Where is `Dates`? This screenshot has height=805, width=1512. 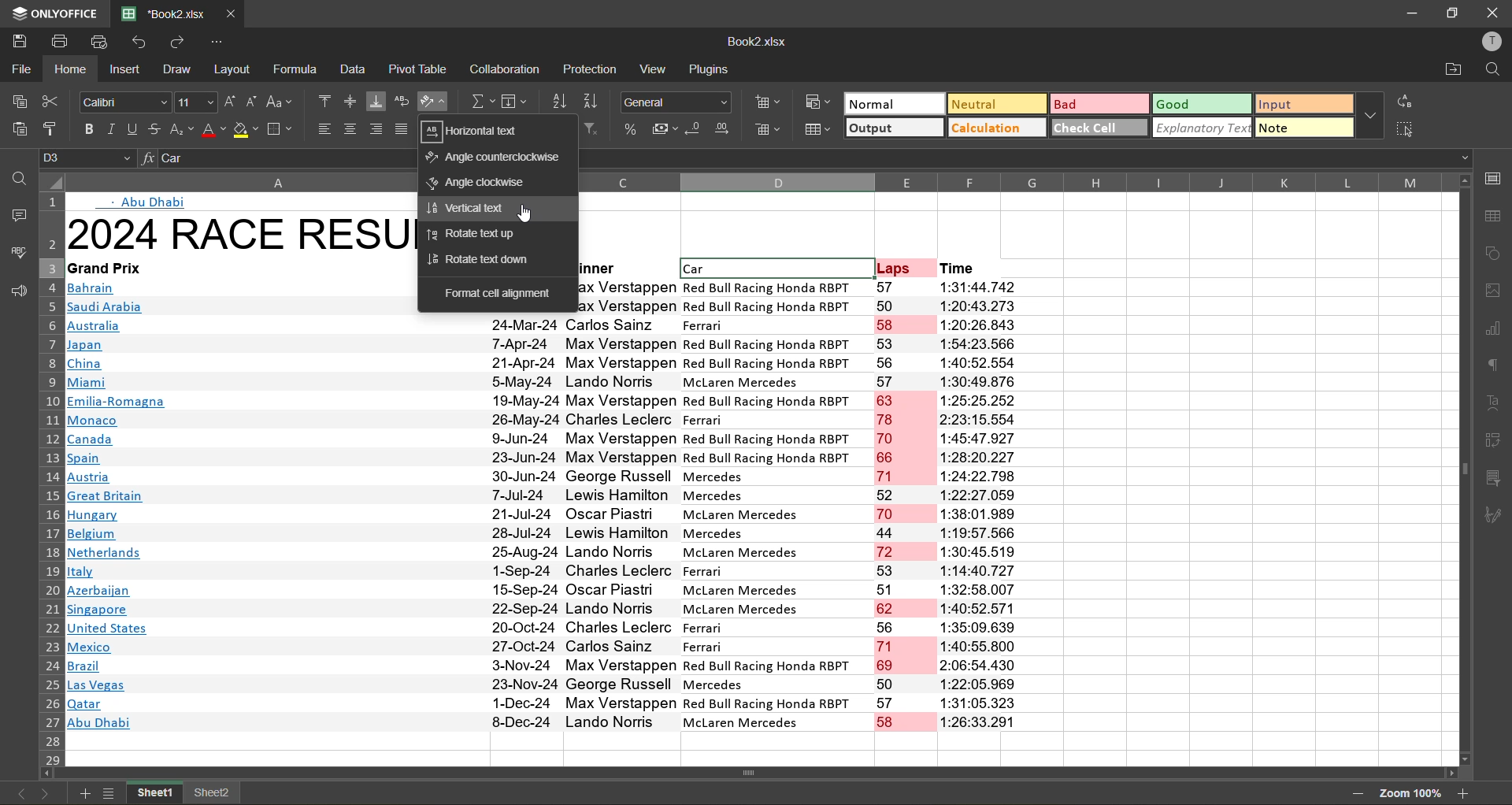 Dates is located at coordinates (499, 525).